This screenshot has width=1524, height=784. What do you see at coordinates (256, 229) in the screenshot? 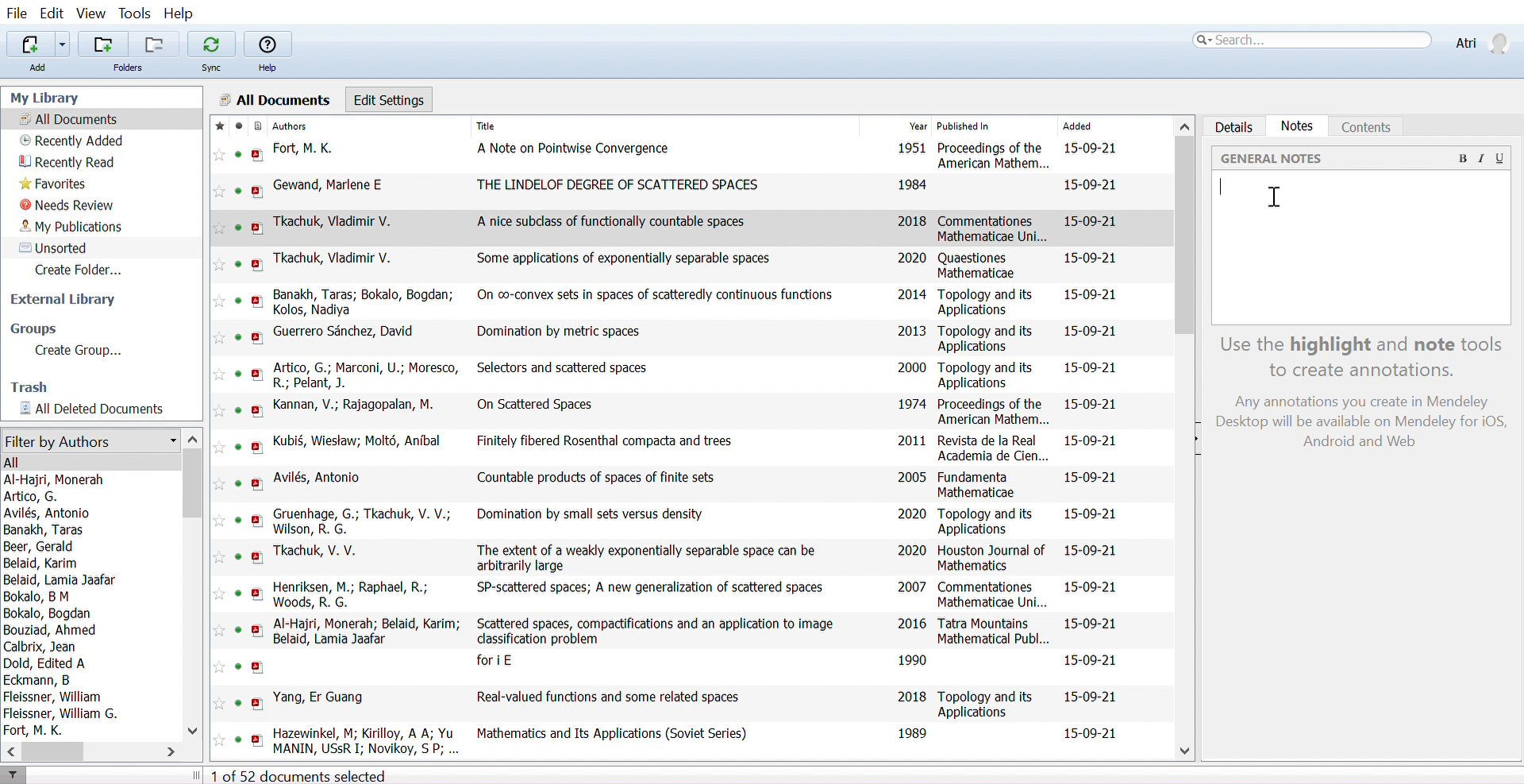
I see `open PDF` at bounding box center [256, 229].